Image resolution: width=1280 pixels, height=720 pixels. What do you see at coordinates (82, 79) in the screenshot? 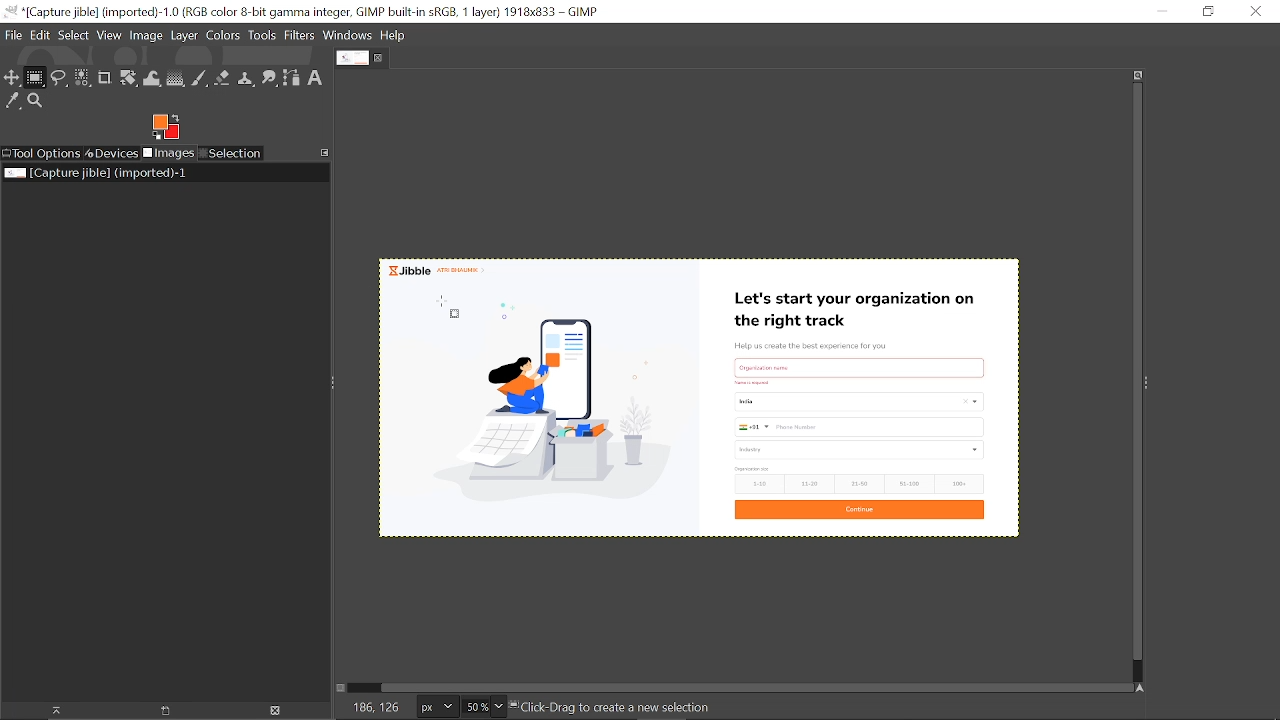
I see `Select by color` at bounding box center [82, 79].